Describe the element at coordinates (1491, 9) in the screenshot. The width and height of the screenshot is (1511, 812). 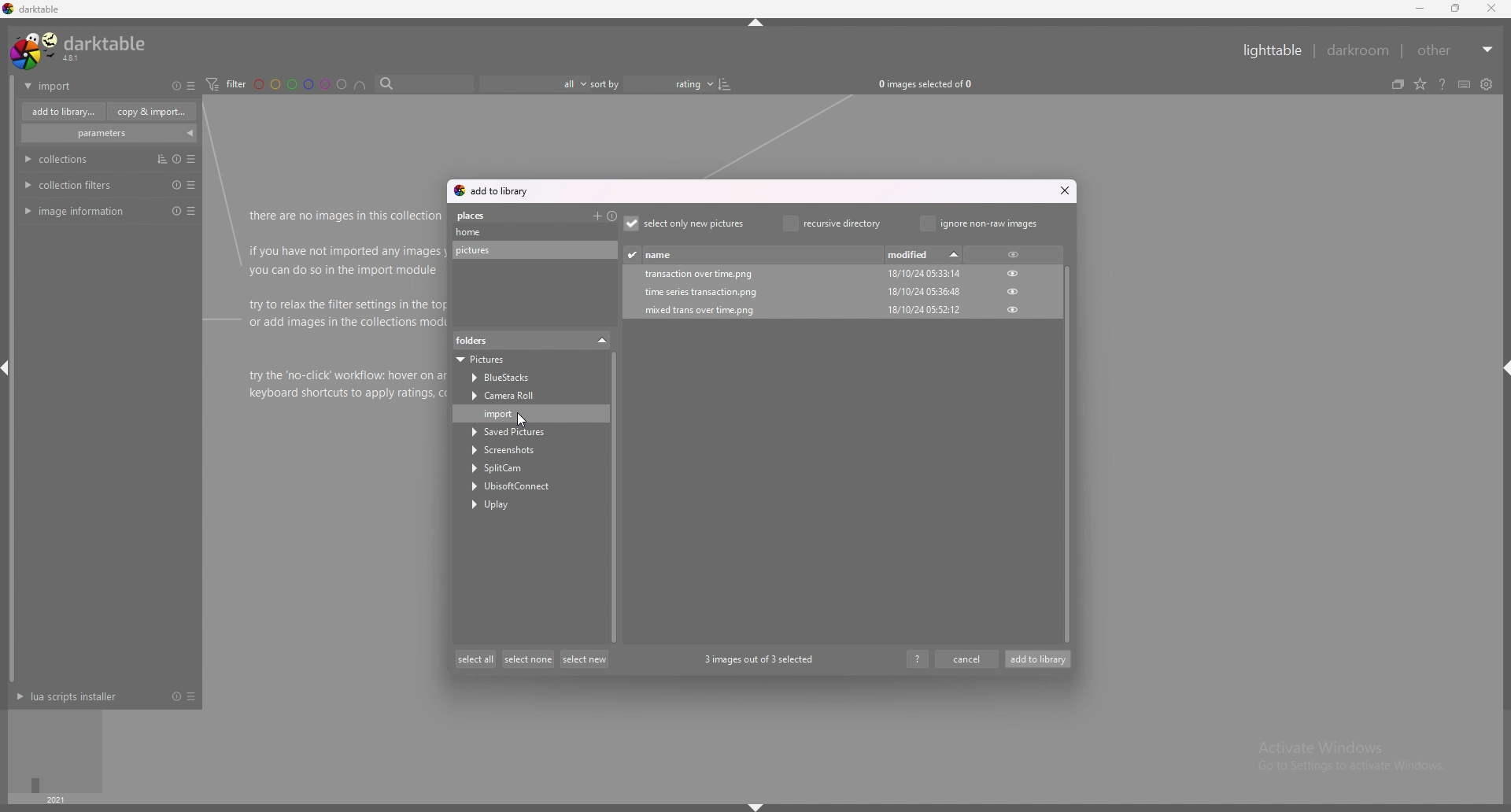
I see `close` at that location.